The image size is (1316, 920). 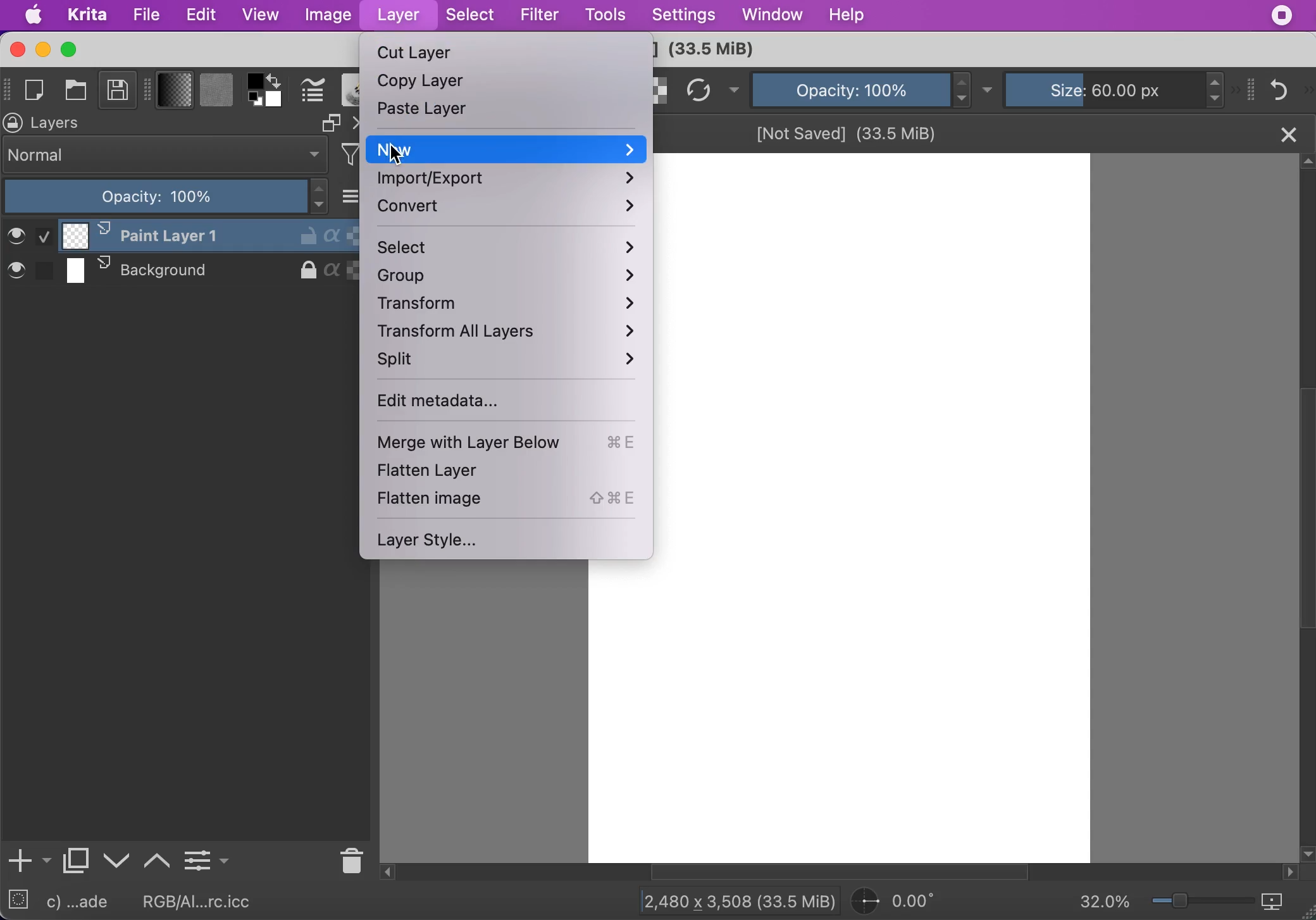 I want to click on flatten layer, so click(x=454, y=472).